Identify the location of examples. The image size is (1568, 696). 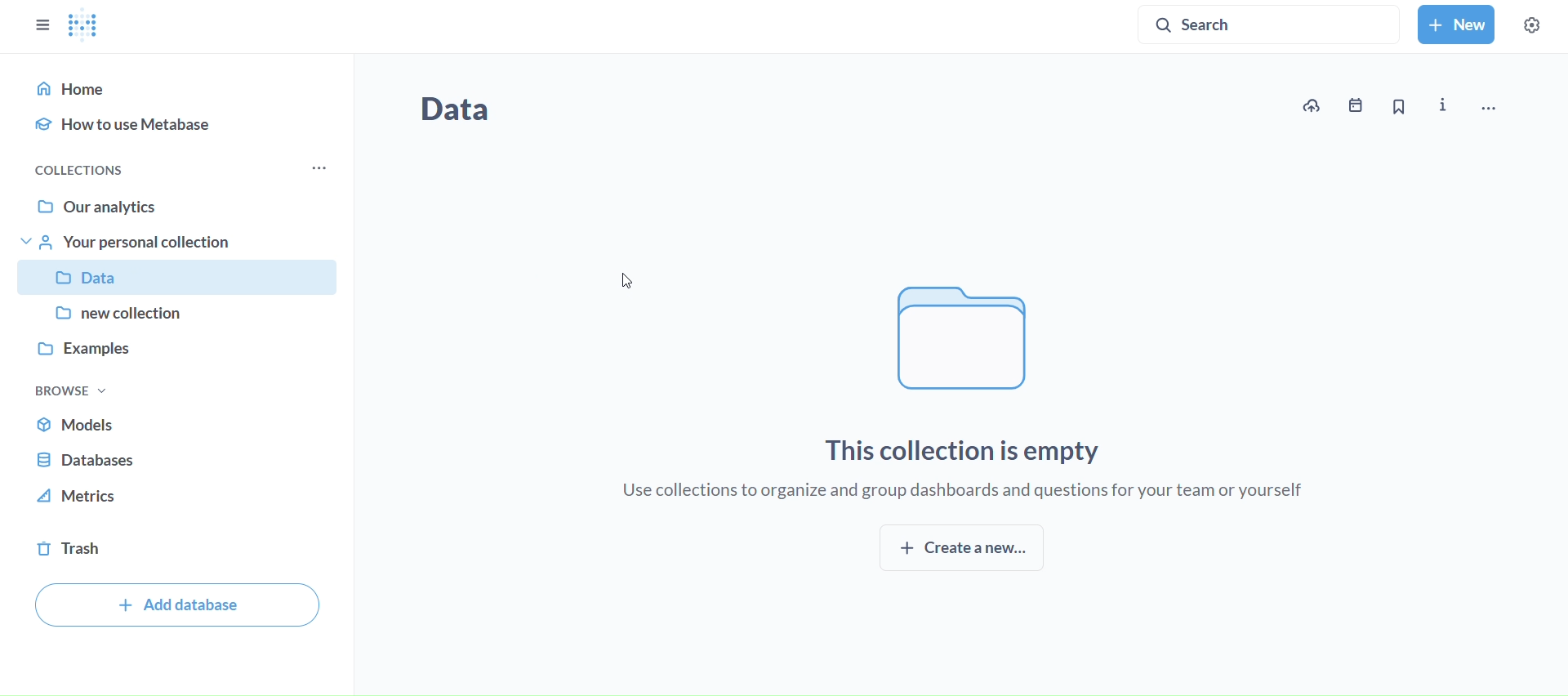
(176, 348).